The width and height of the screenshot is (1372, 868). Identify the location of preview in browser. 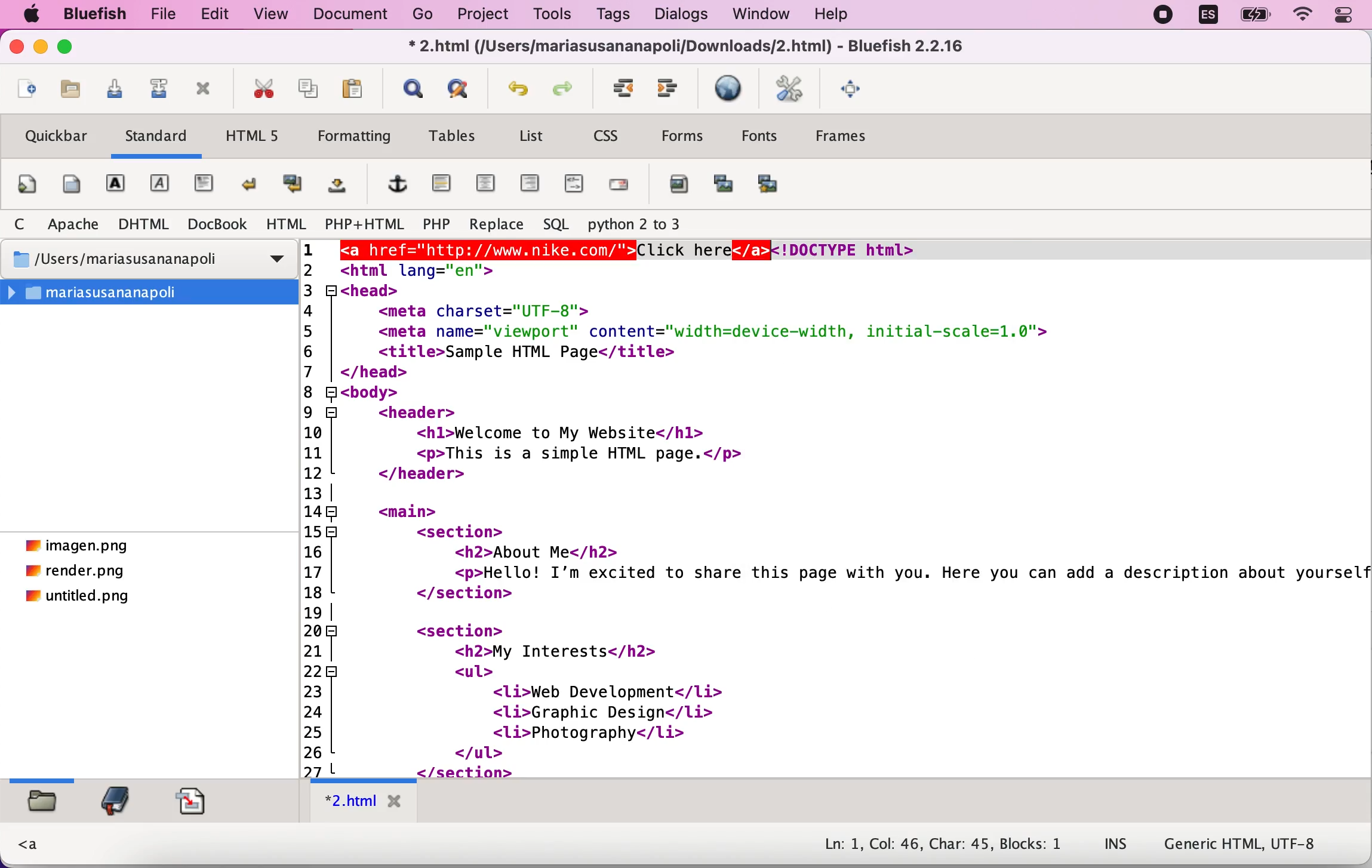
(728, 92).